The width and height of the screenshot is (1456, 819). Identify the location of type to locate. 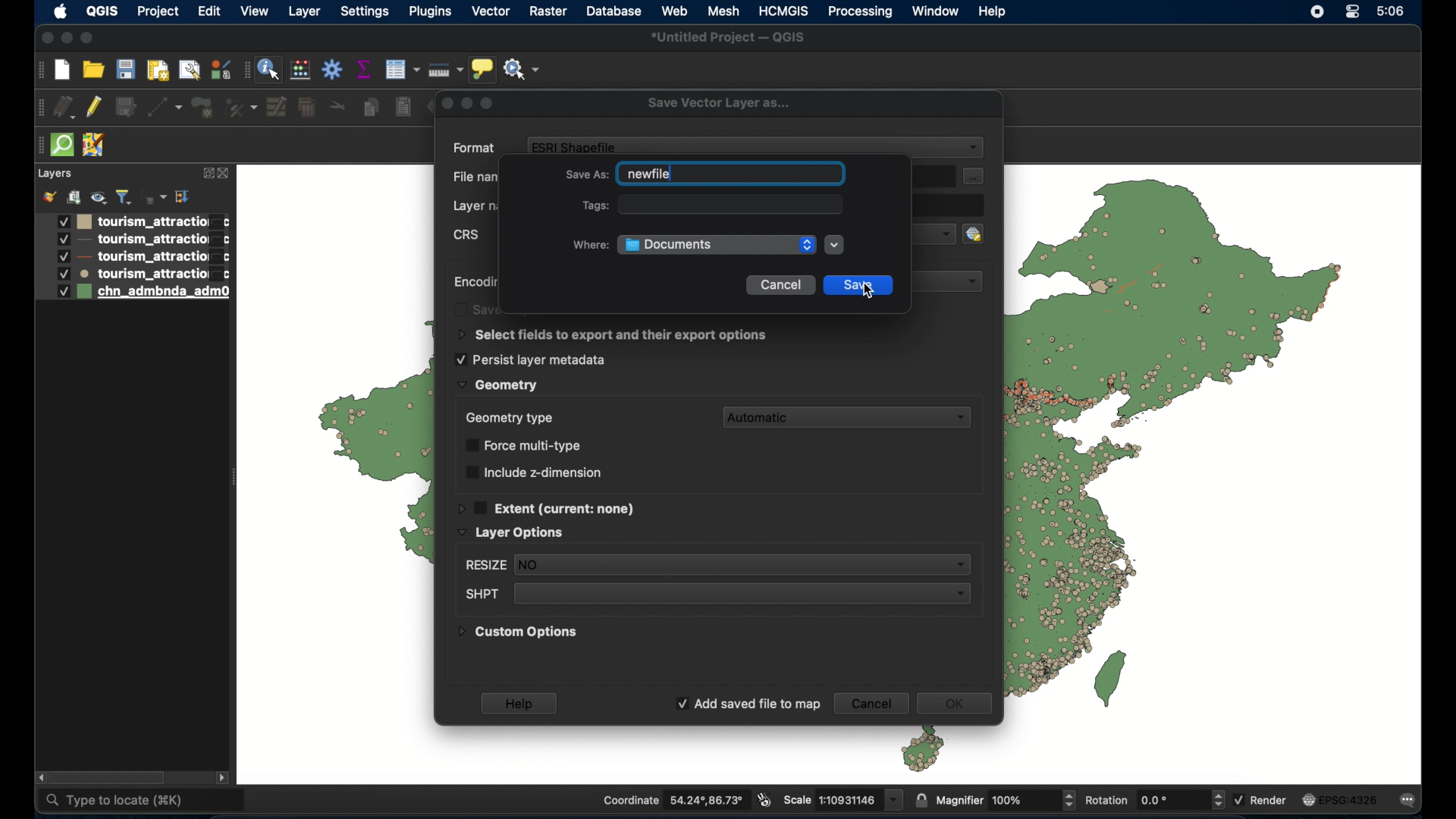
(143, 800).